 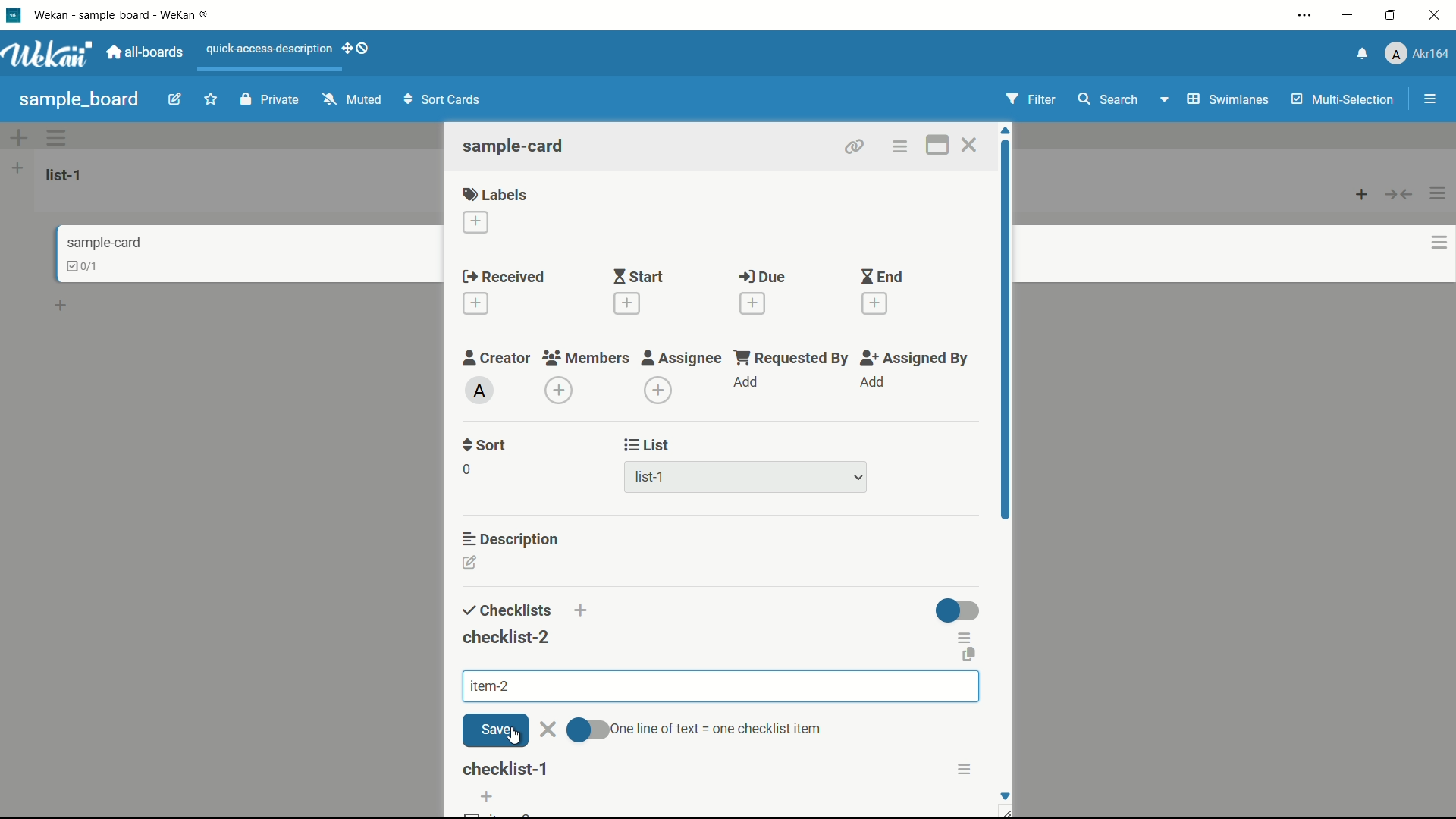 What do you see at coordinates (548, 730) in the screenshot?
I see `close` at bounding box center [548, 730].